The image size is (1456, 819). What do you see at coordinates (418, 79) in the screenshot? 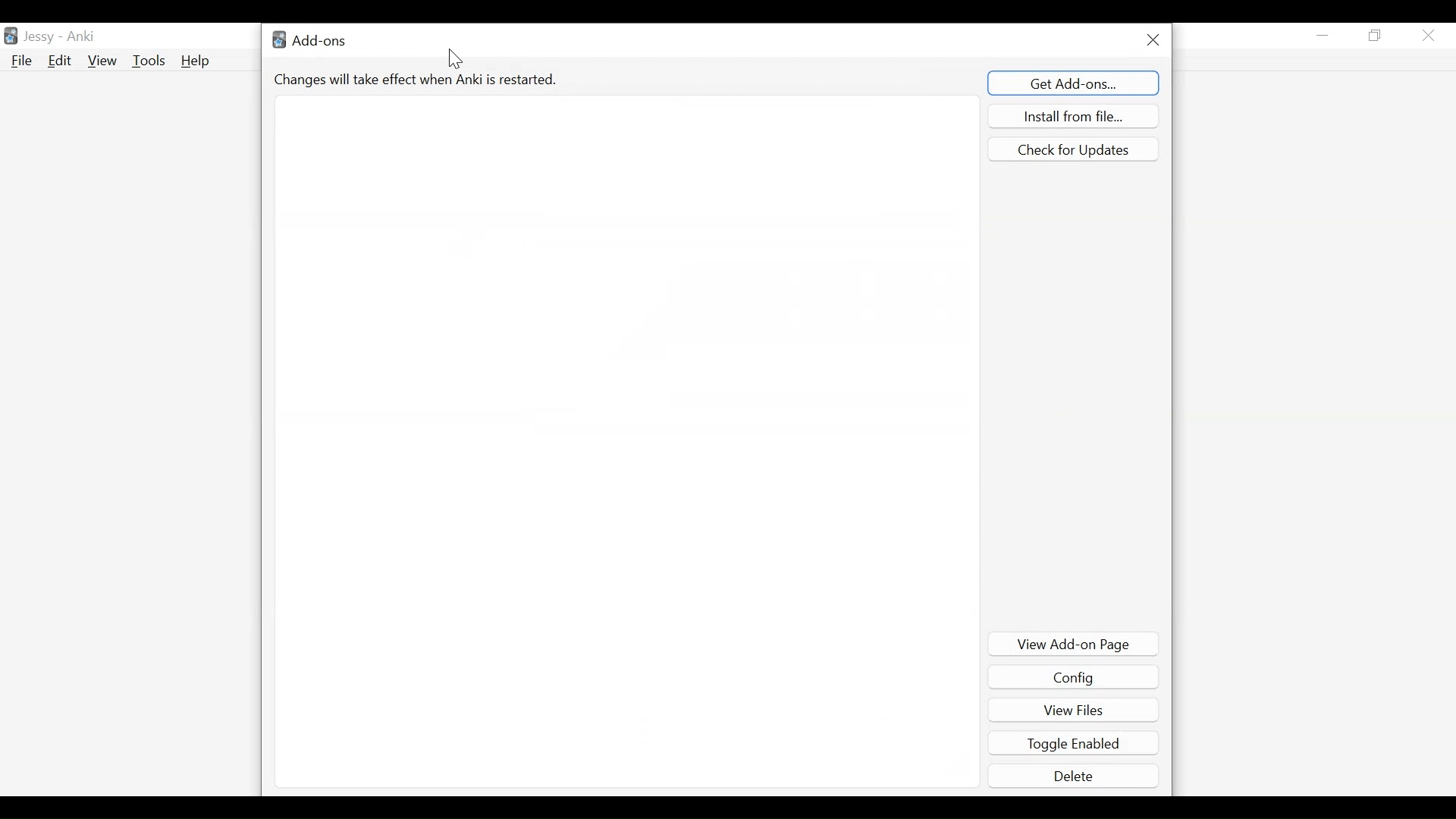
I see `Changes will take effect when Anki is restarted` at bounding box center [418, 79].